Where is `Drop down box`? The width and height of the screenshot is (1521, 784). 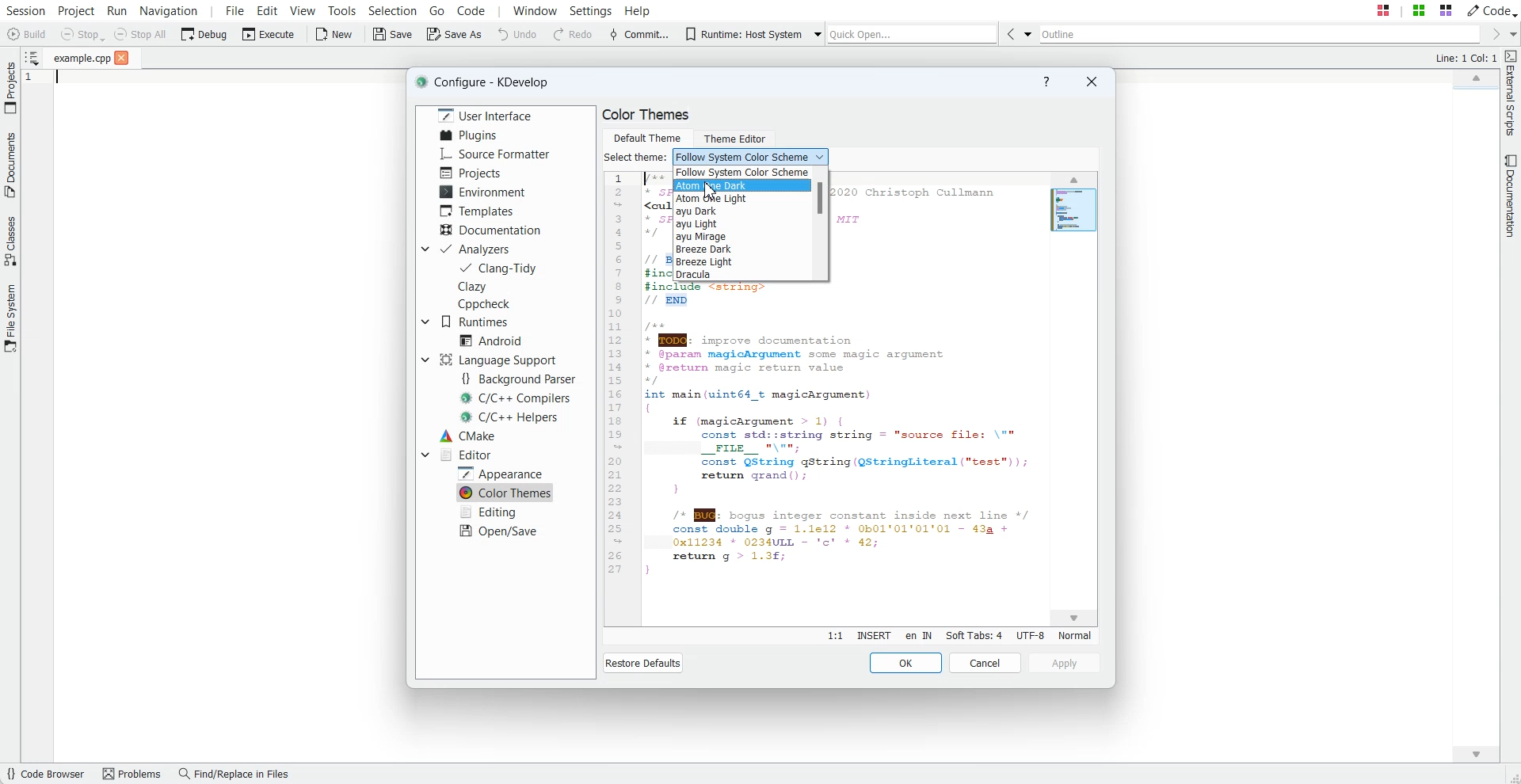
Drop down box is located at coordinates (1511, 34).